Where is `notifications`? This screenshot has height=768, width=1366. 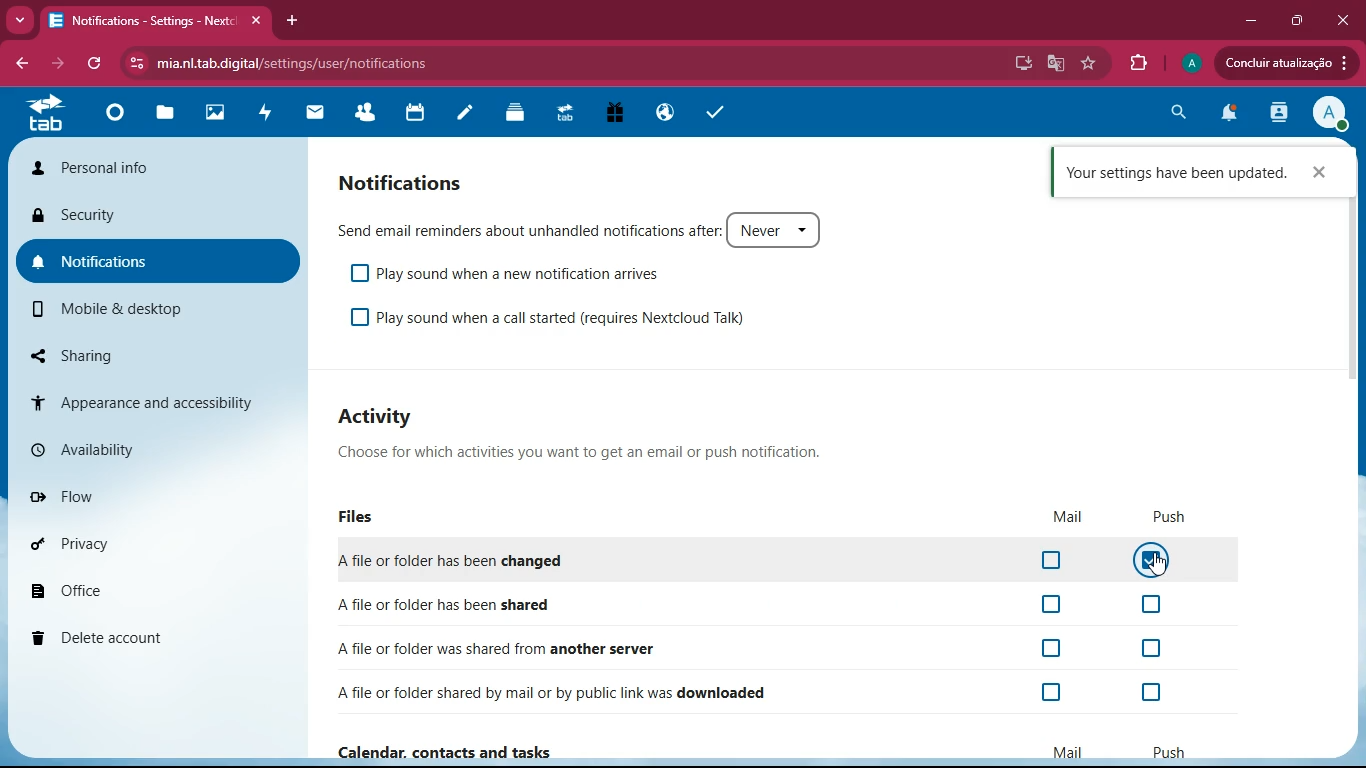 notifications is located at coordinates (1227, 114).